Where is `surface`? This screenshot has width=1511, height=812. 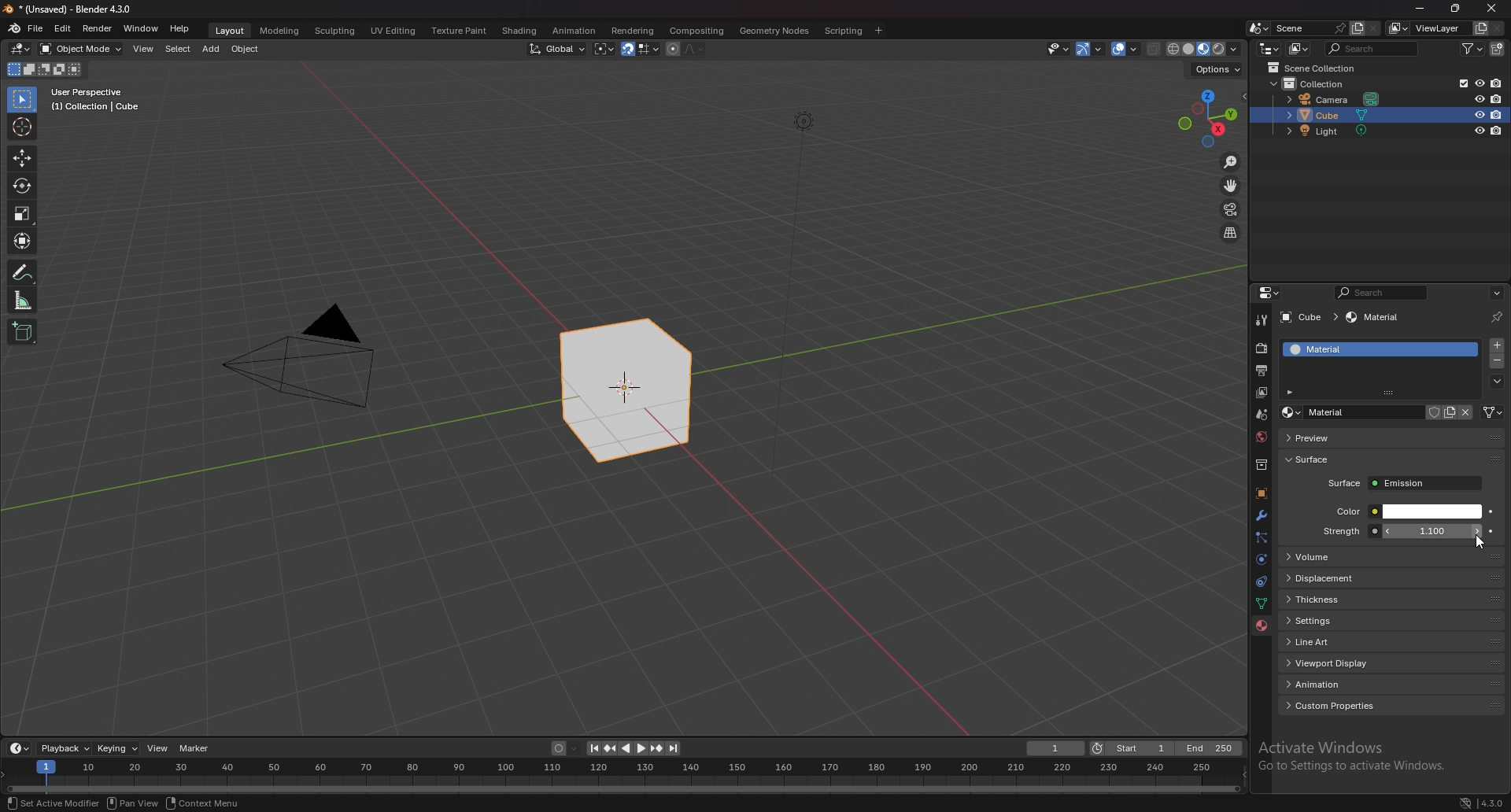
surface is located at coordinates (1326, 460).